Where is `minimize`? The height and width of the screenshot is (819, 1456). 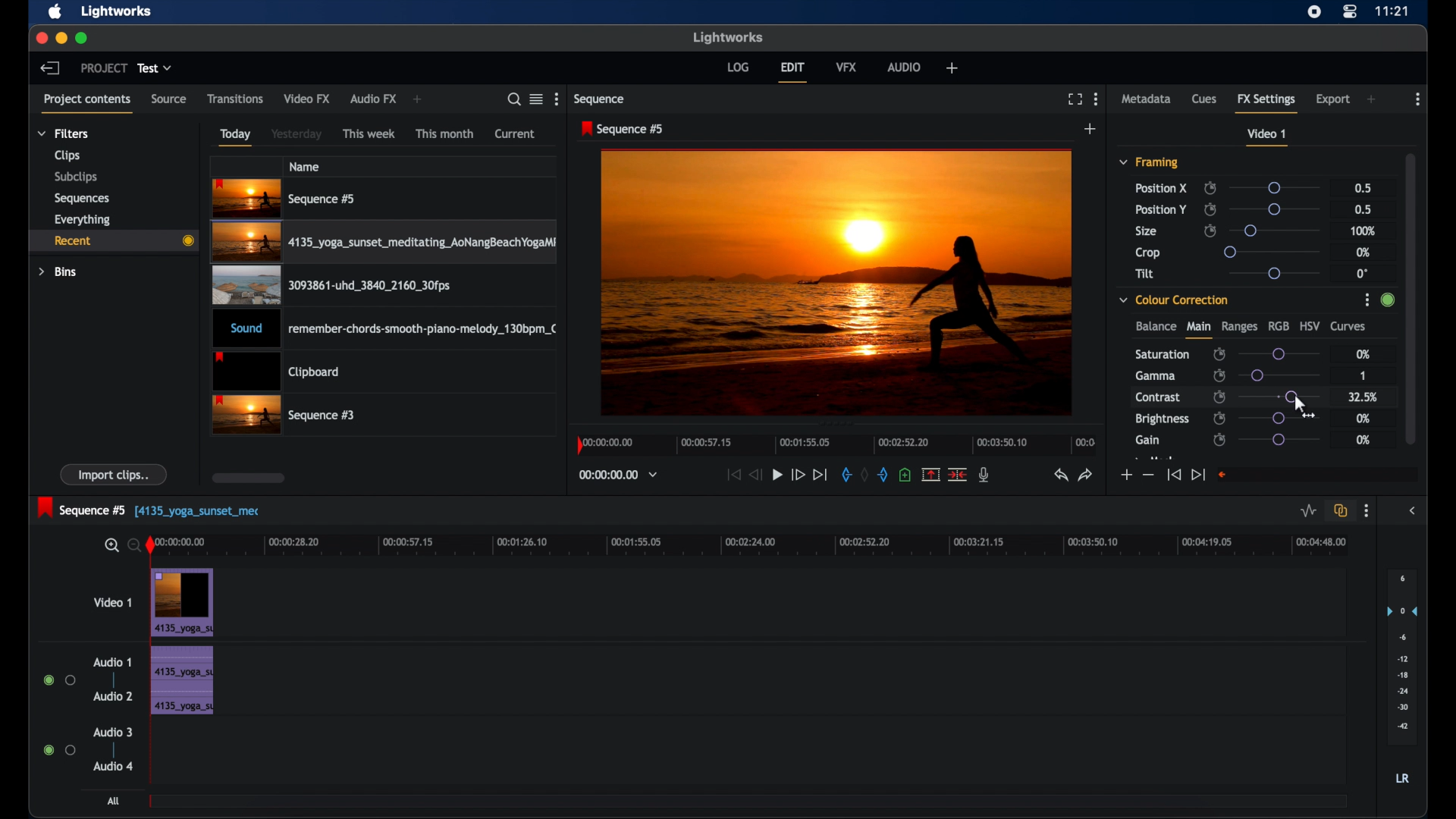
minimize is located at coordinates (63, 38).